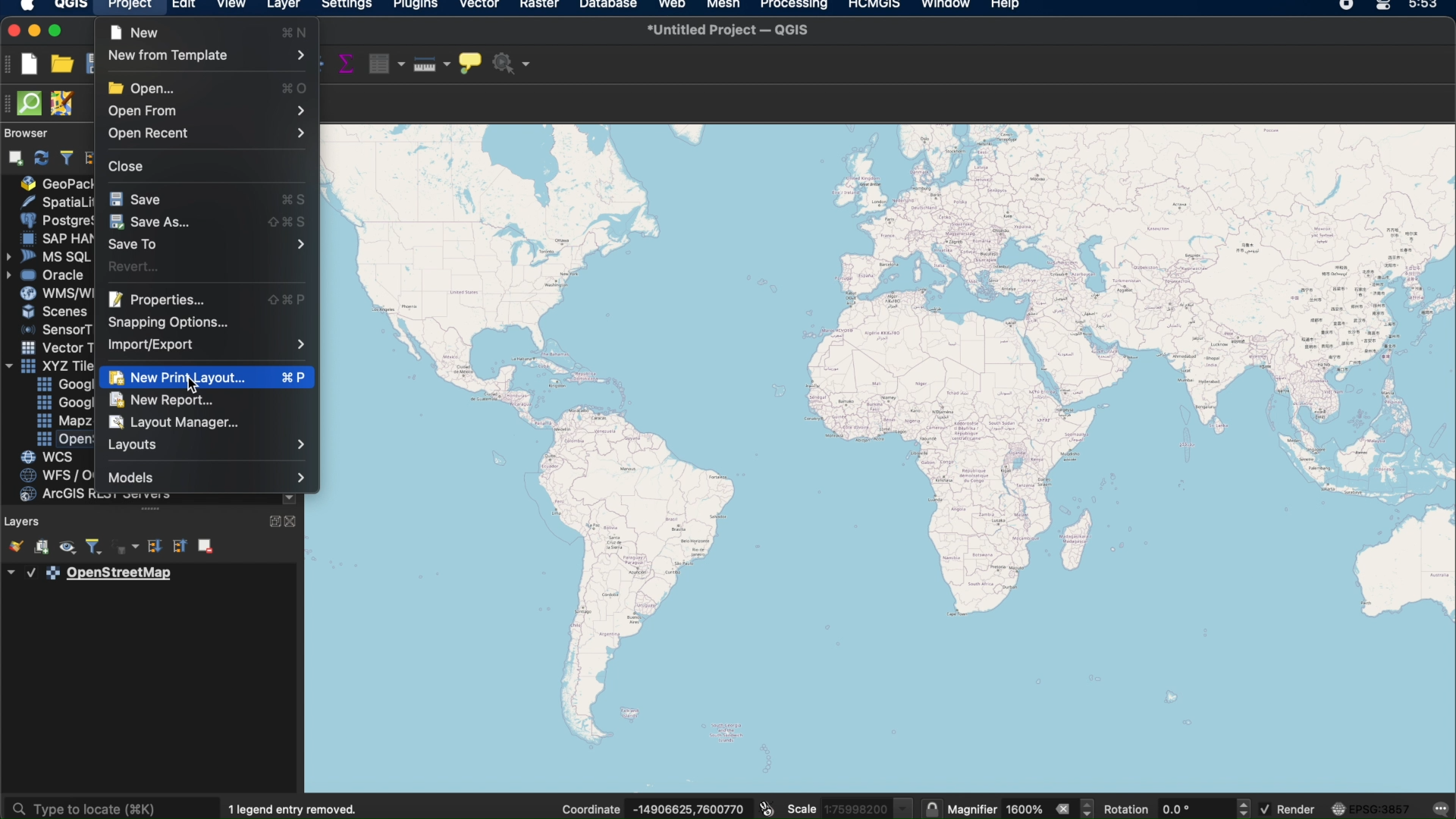  What do you see at coordinates (21, 520) in the screenshot?
I see `layers` at bounding box center [21, 520].